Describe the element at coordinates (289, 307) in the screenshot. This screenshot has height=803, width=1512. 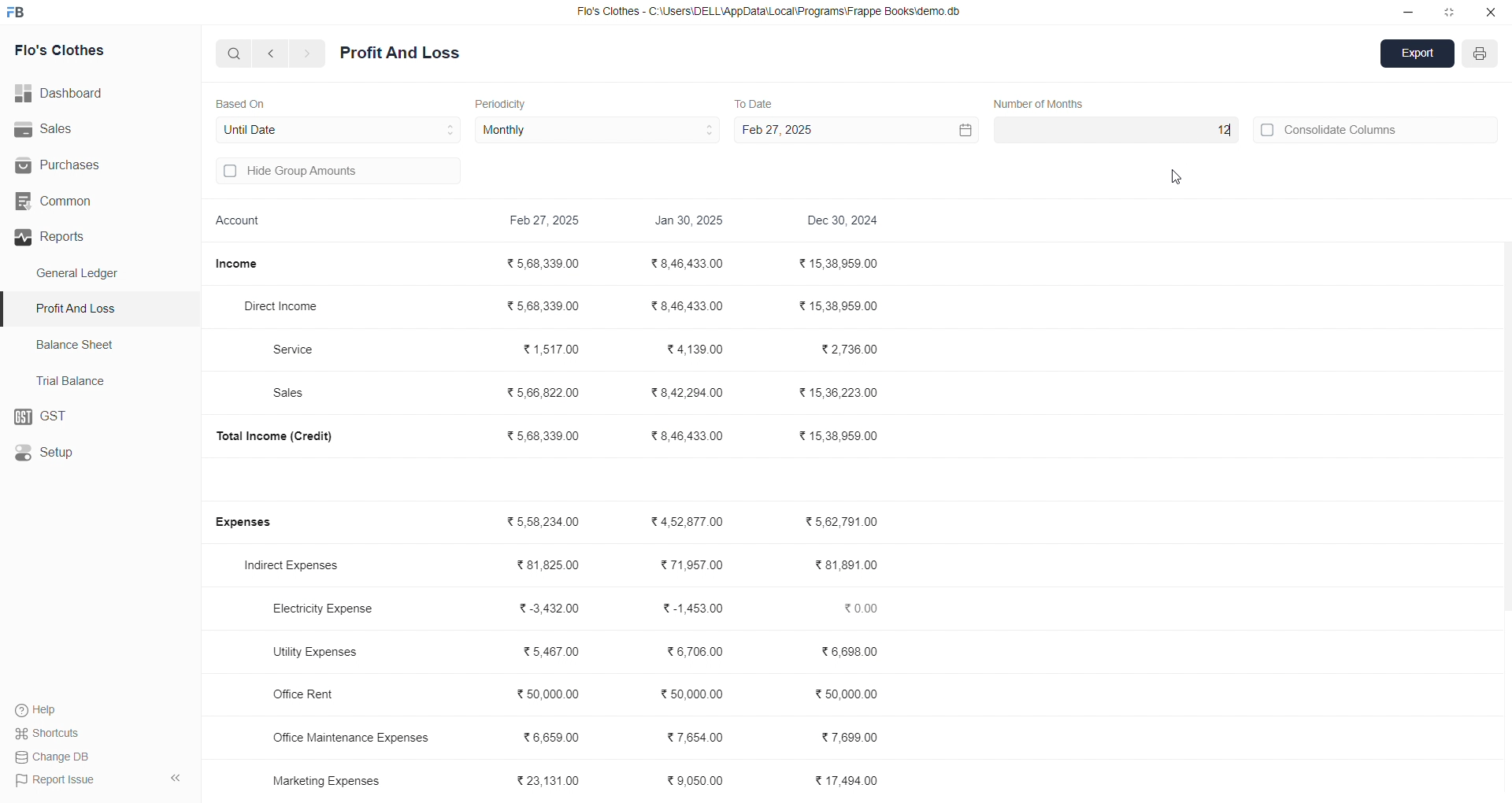
I see `Direct Income` at that location.